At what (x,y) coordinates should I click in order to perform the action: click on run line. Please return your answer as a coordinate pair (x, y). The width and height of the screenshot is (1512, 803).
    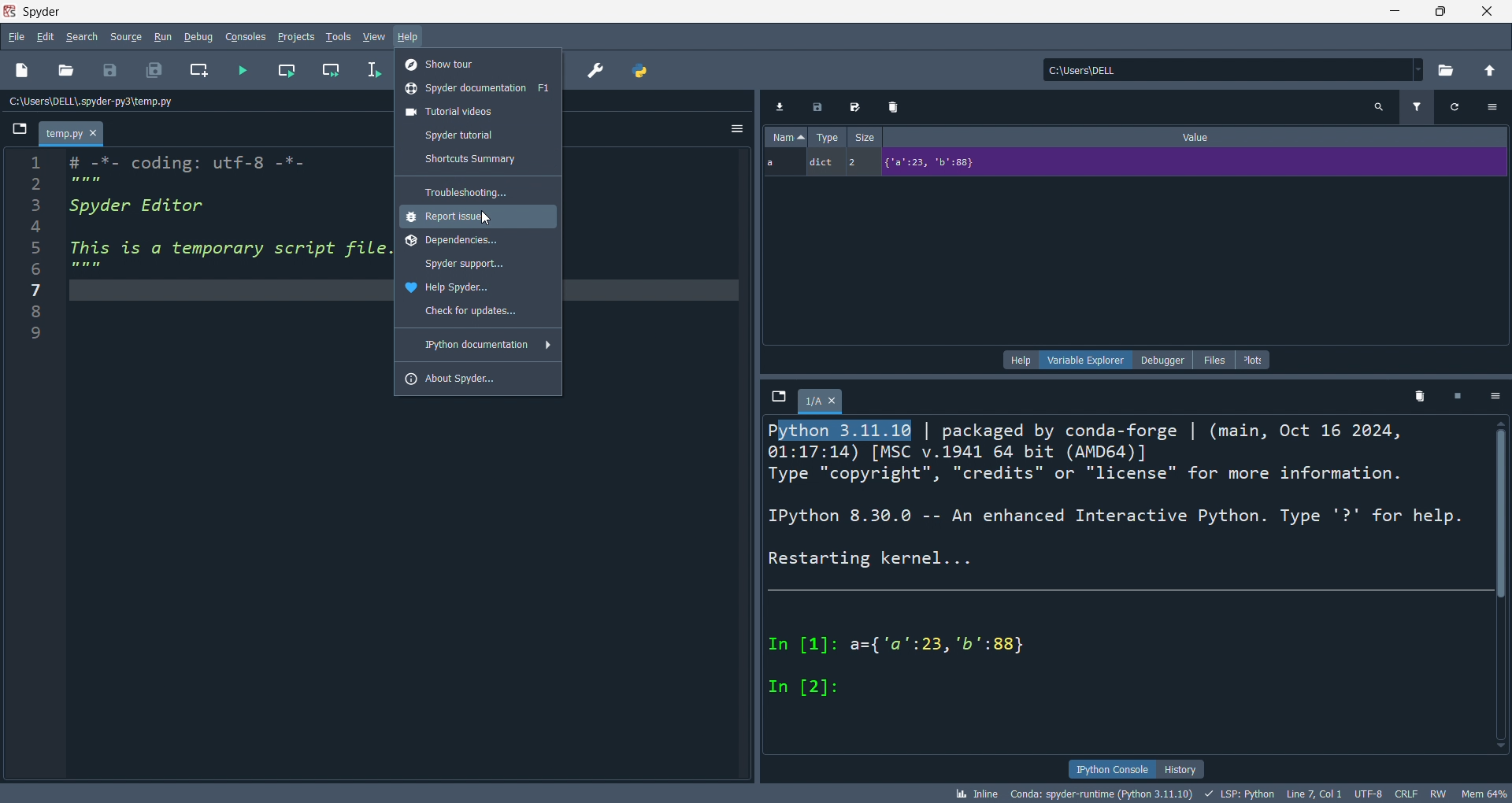
    Looking at the image, I should click on (376, 71).